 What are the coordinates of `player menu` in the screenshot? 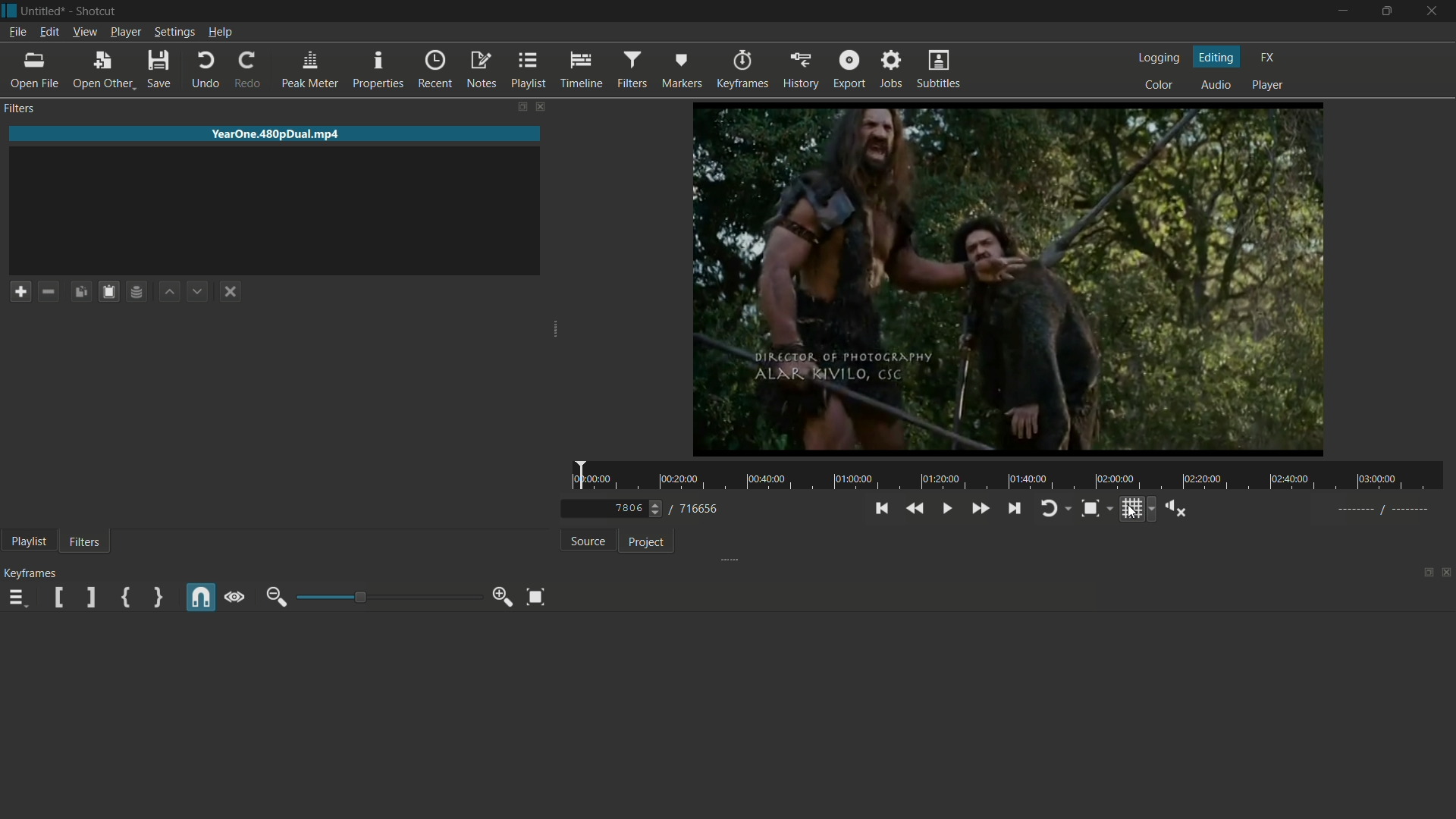 It's located at (126, 33).